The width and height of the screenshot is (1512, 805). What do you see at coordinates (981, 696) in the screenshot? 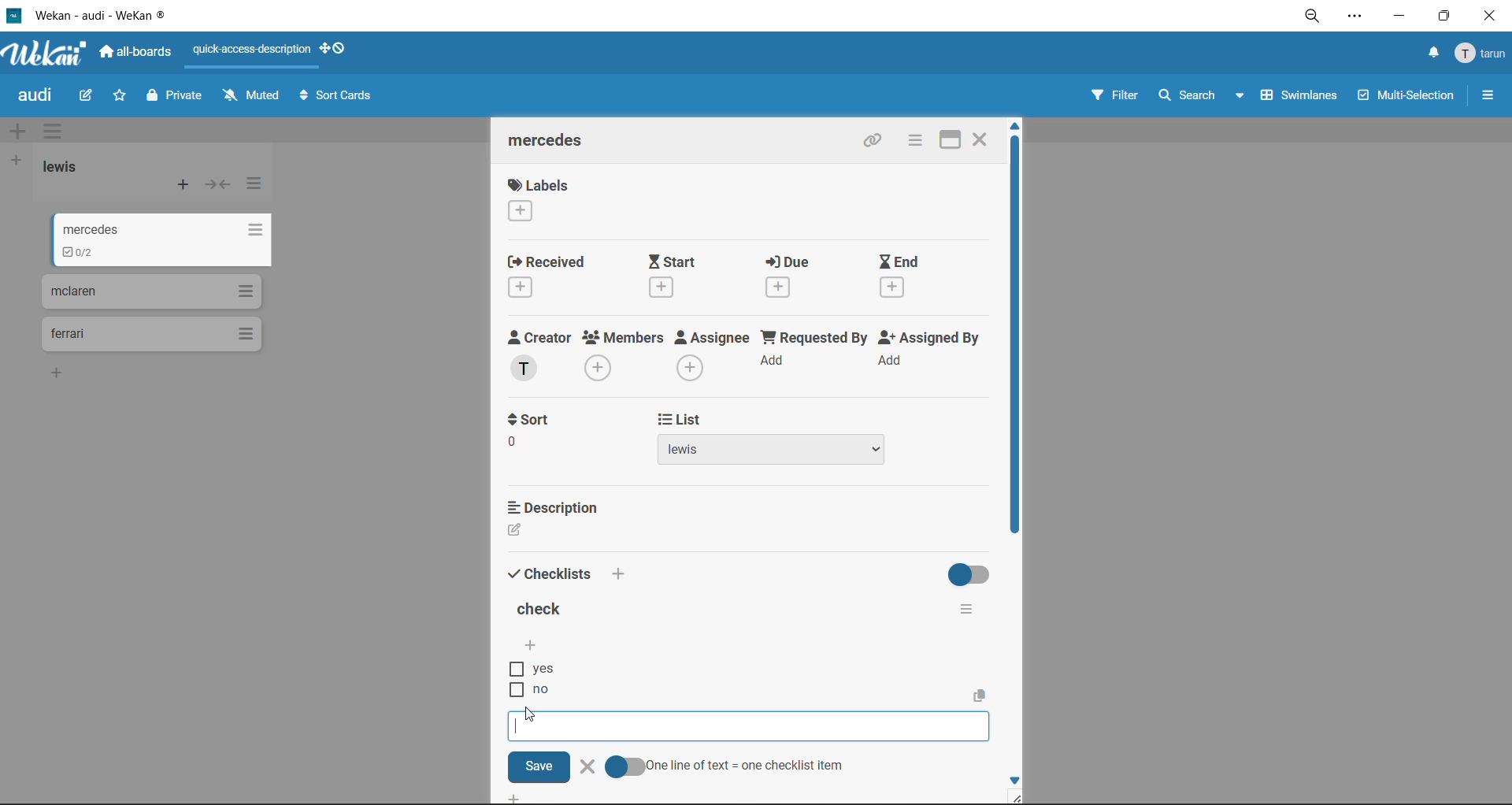
I see `Copy` at bounding box center [981, 696].